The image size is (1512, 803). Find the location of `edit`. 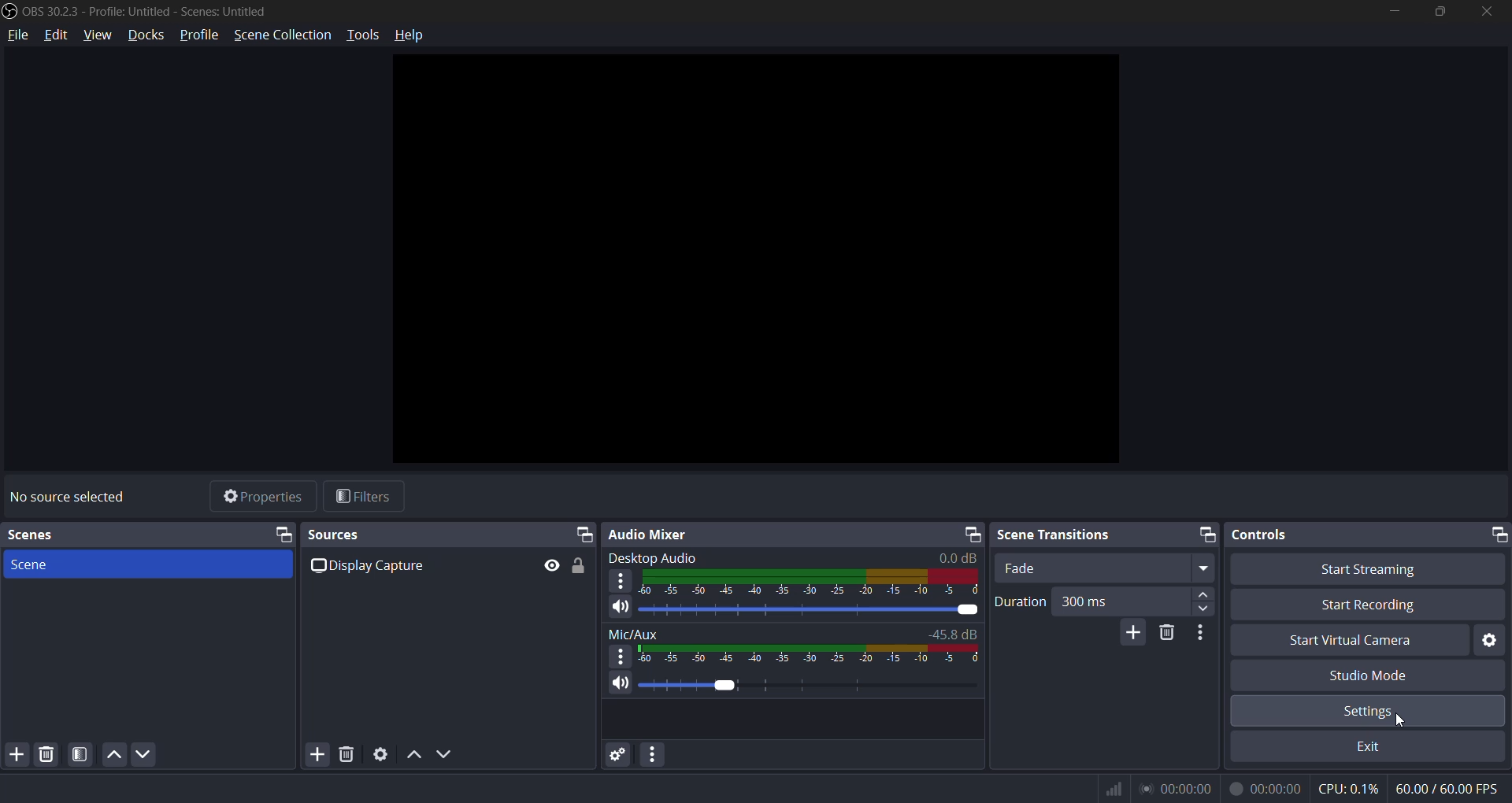

edit is located at coordinates (60, 35).